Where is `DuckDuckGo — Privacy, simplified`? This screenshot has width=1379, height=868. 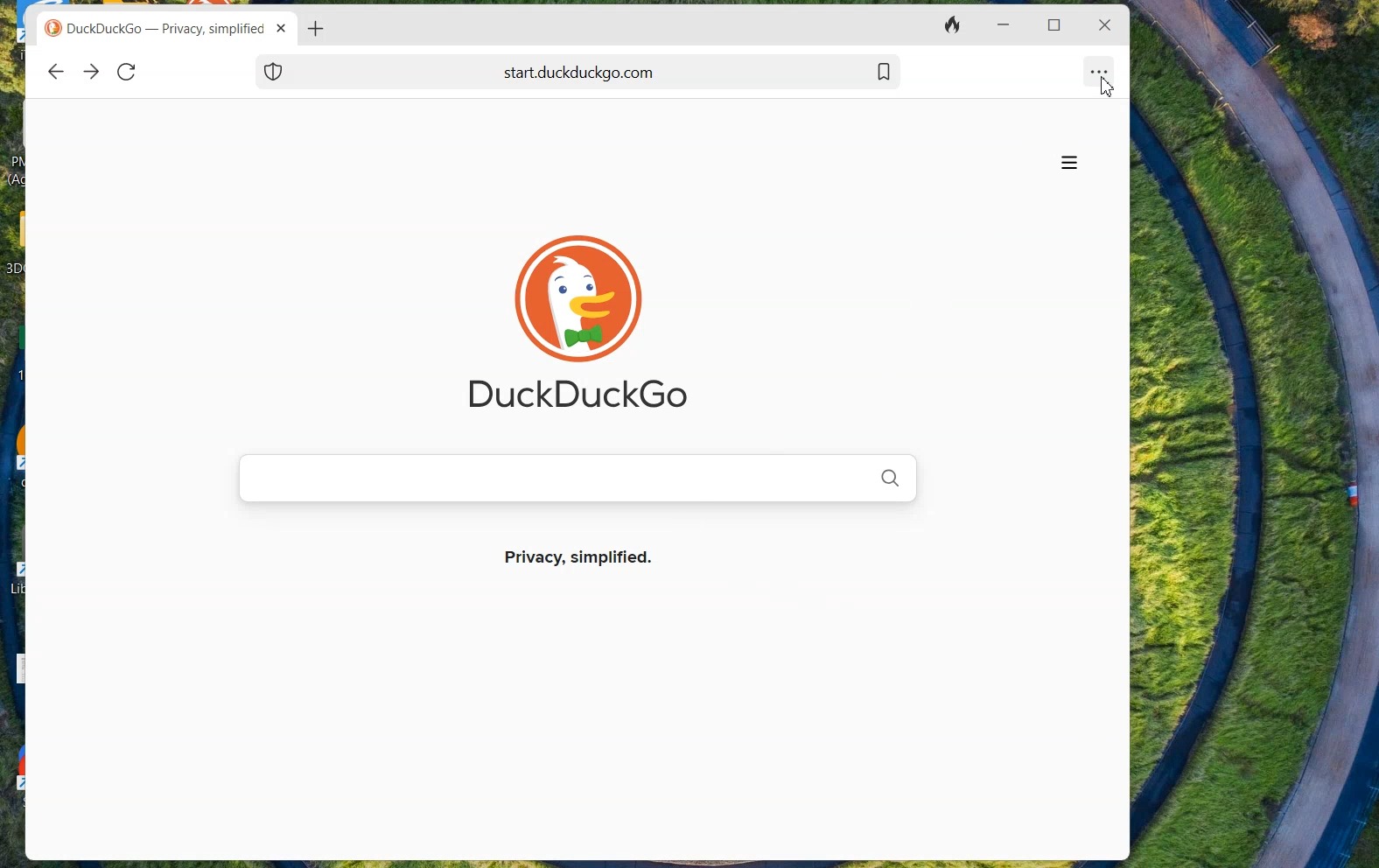 DuckDuckGo — Privacy, simplified is located at coordinates (169, 31).